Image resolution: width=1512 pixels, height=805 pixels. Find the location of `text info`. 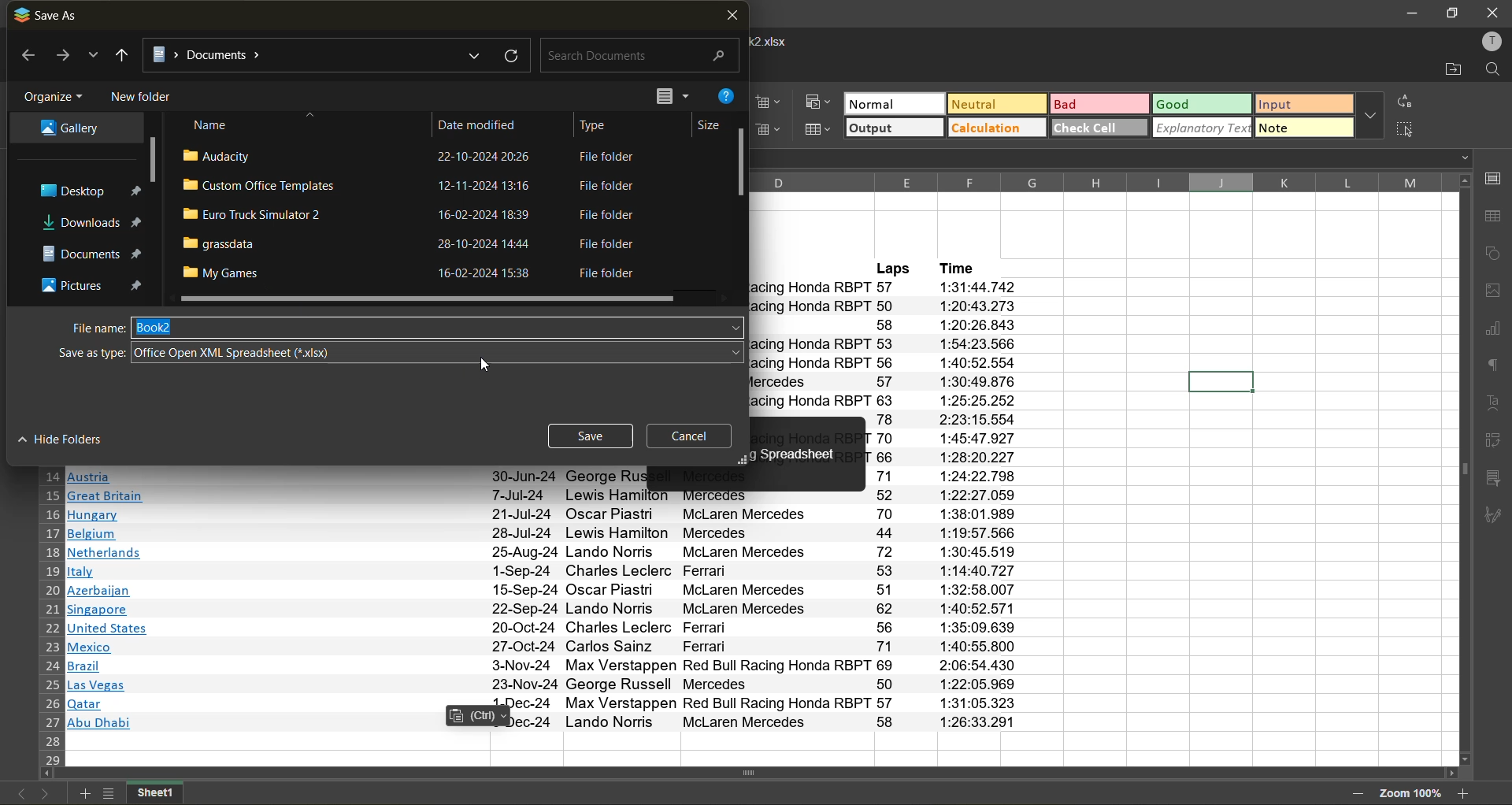

text info is located at coordinates (547, 610).